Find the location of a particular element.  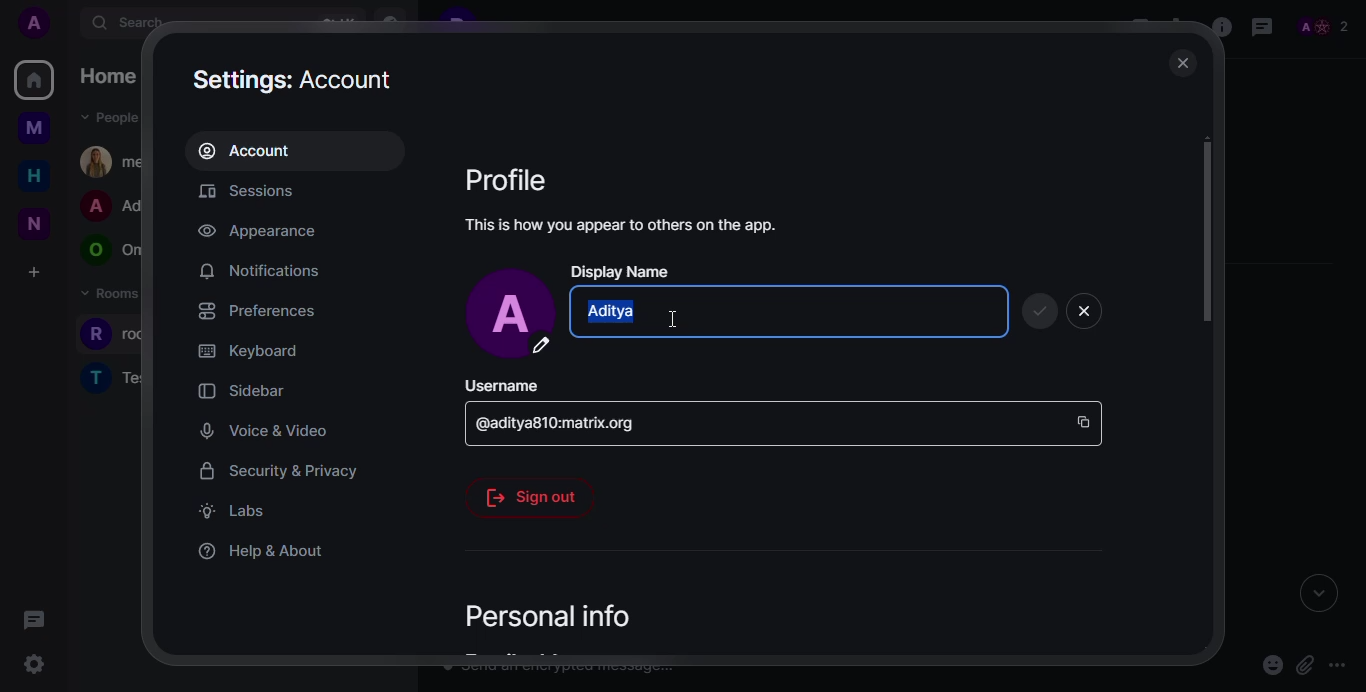

preferences is located at coordinates (254, 309).